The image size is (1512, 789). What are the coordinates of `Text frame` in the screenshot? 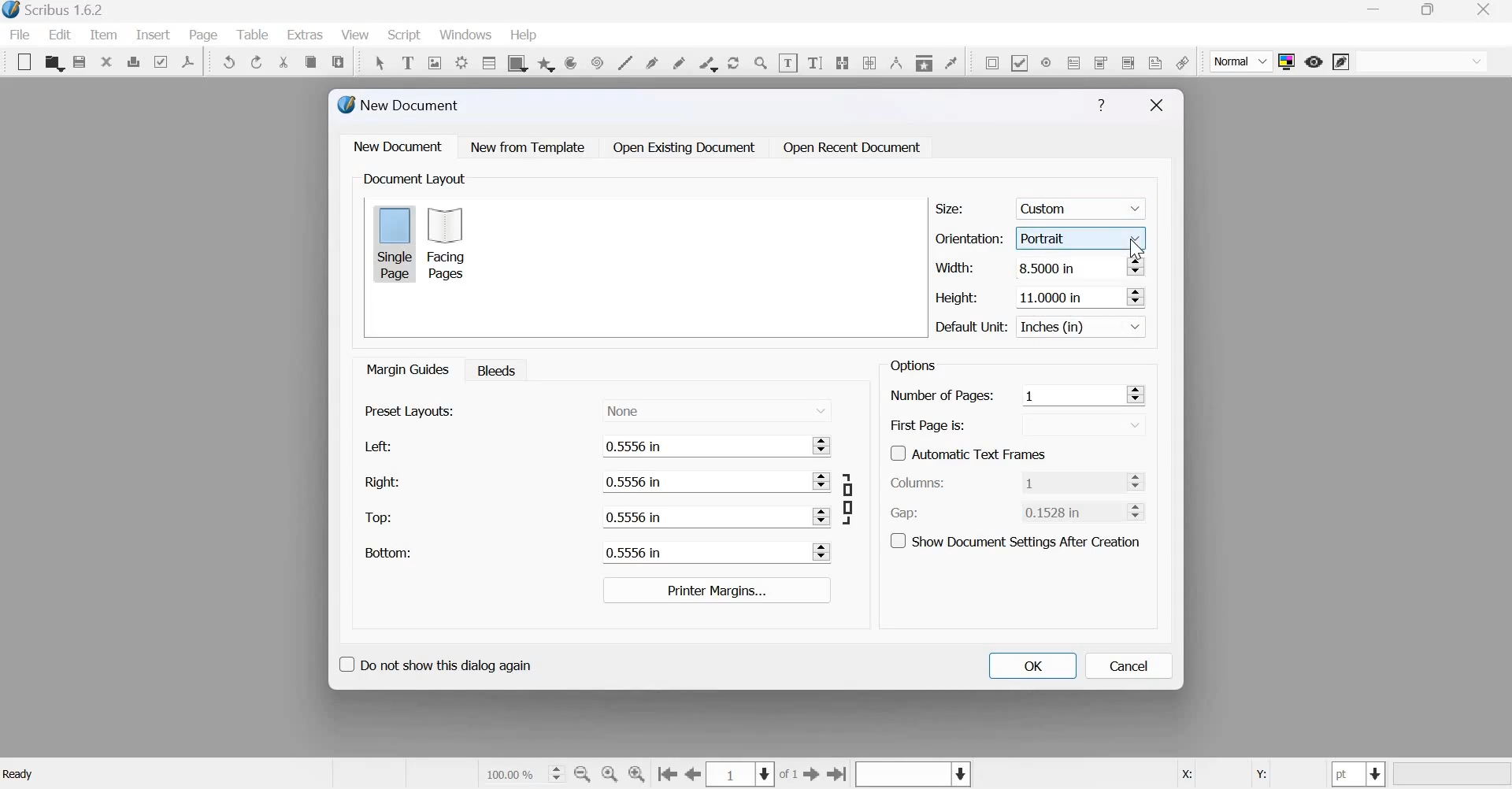 It's located at (407, 61).